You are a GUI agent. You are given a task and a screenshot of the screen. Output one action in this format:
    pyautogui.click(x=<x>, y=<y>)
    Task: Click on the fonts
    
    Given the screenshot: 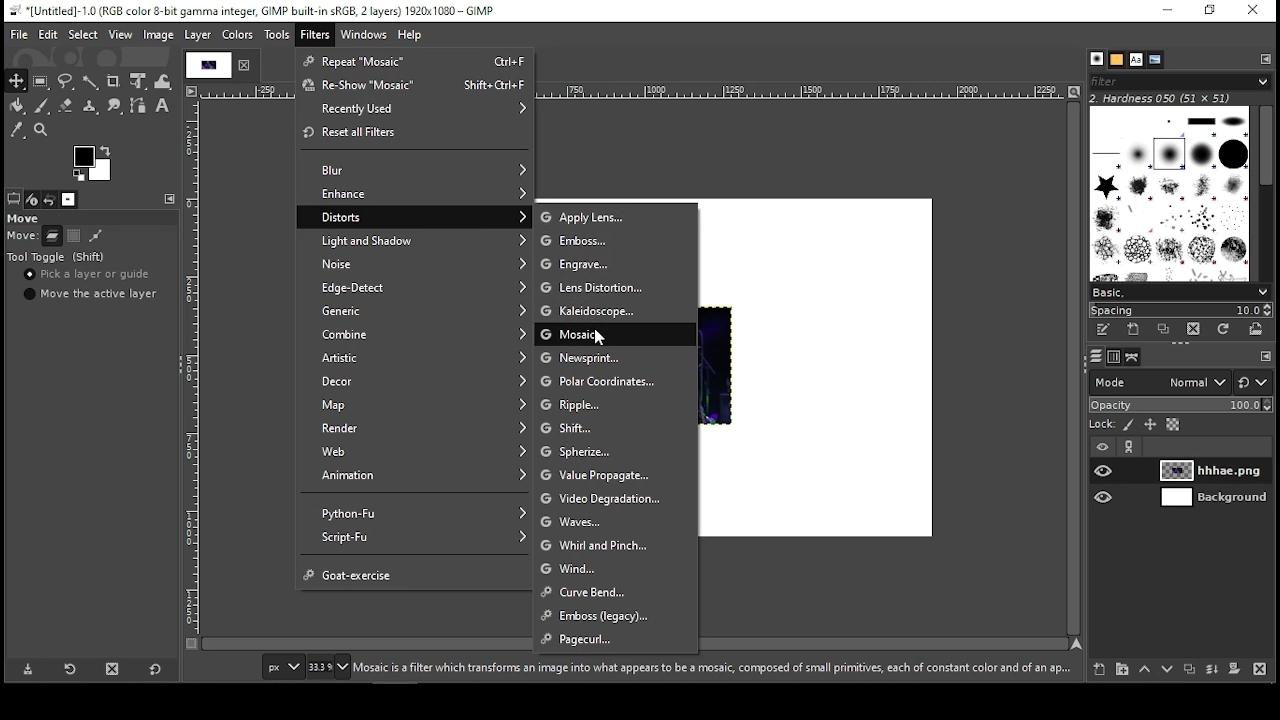 What is the action you would take?
    pyautogui.click(x=1135, y=59)
    